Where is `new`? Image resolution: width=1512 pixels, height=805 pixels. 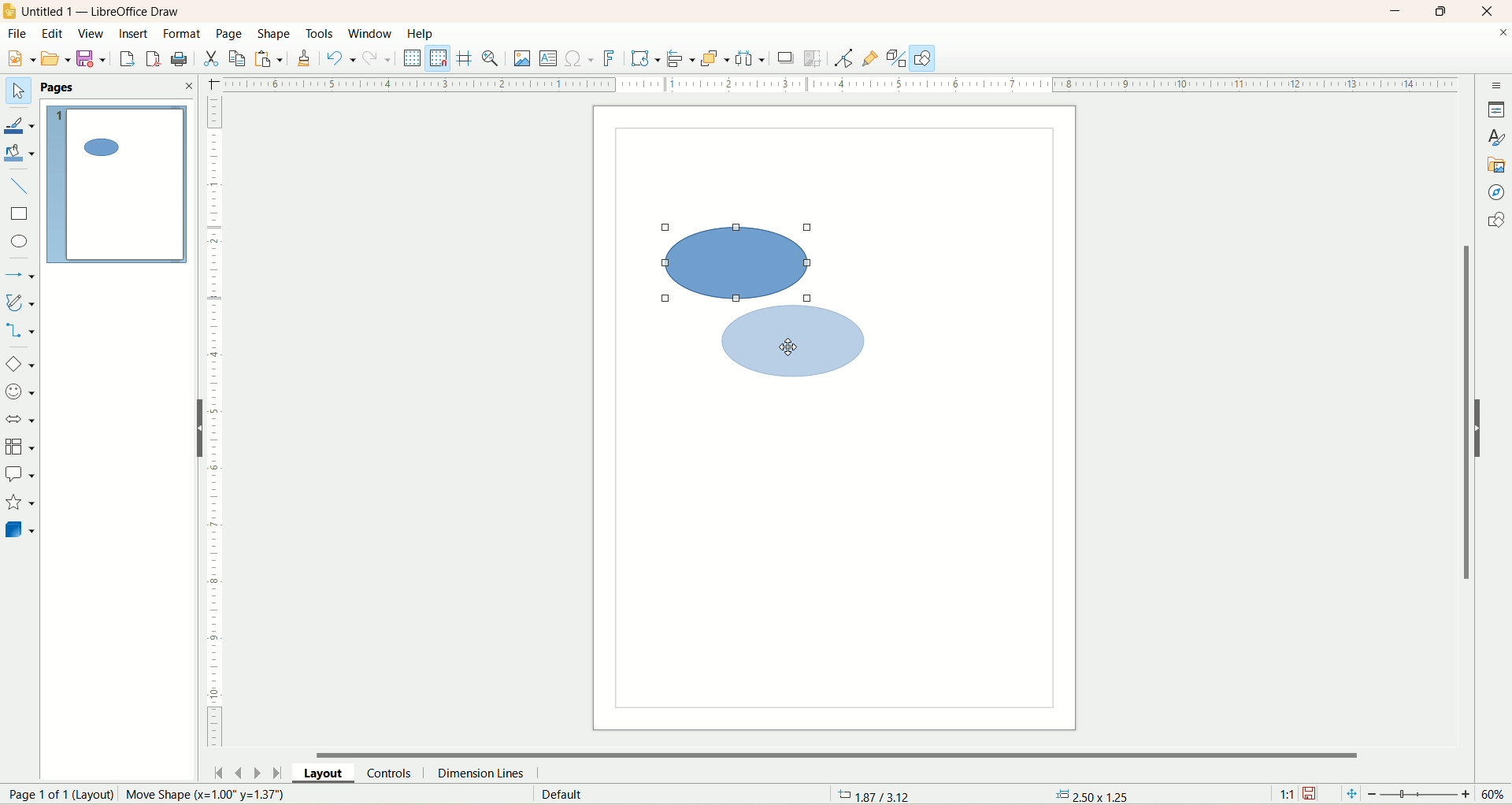 new is located at coordinates (23, 59).